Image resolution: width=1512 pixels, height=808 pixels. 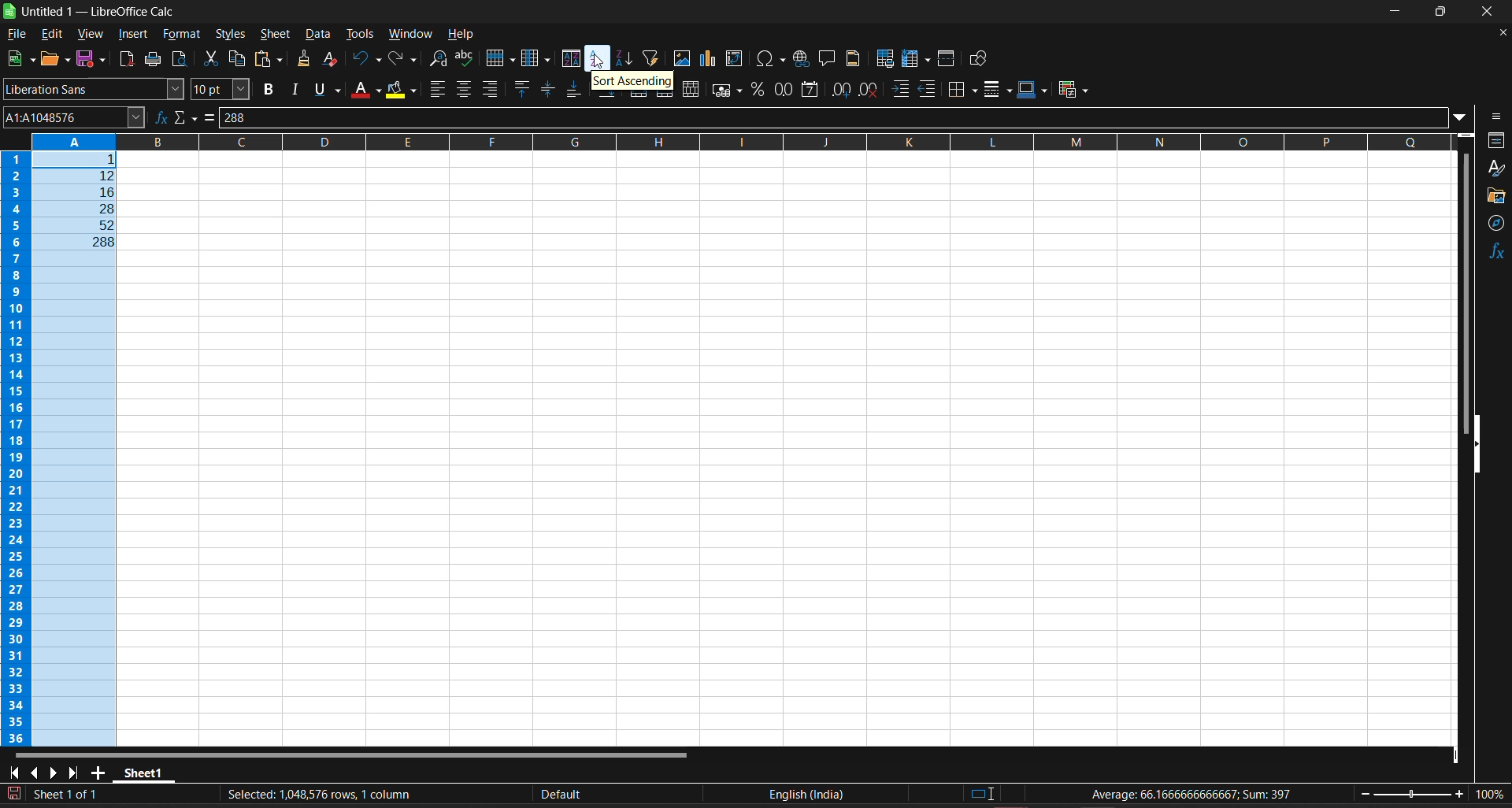 What do you see at coordinates (1477, 444) in the screenshot?
I see `hide` at bounding box center [1477, 444].